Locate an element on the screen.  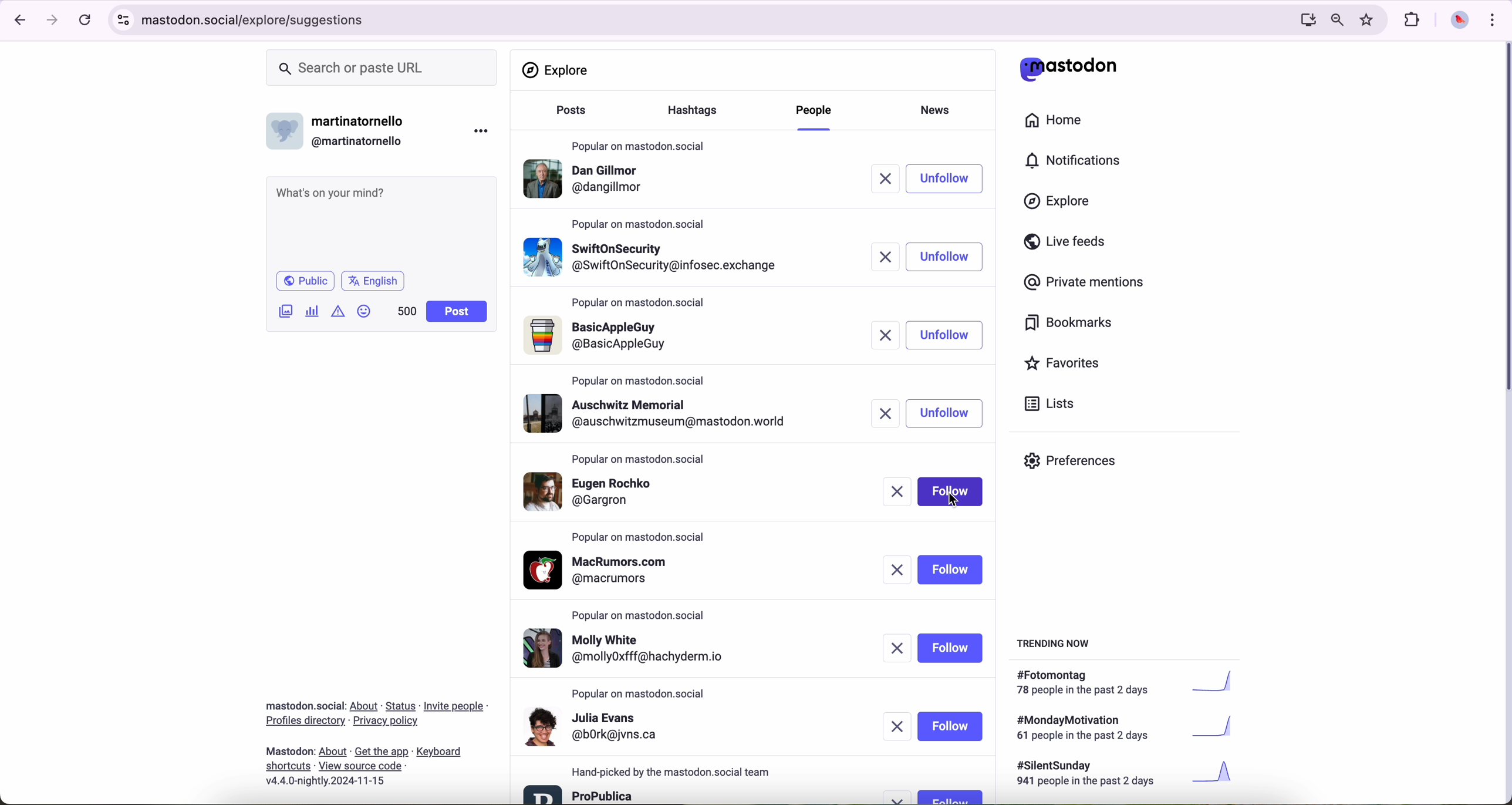
search or paste URL is located at coordinates (382, 68).